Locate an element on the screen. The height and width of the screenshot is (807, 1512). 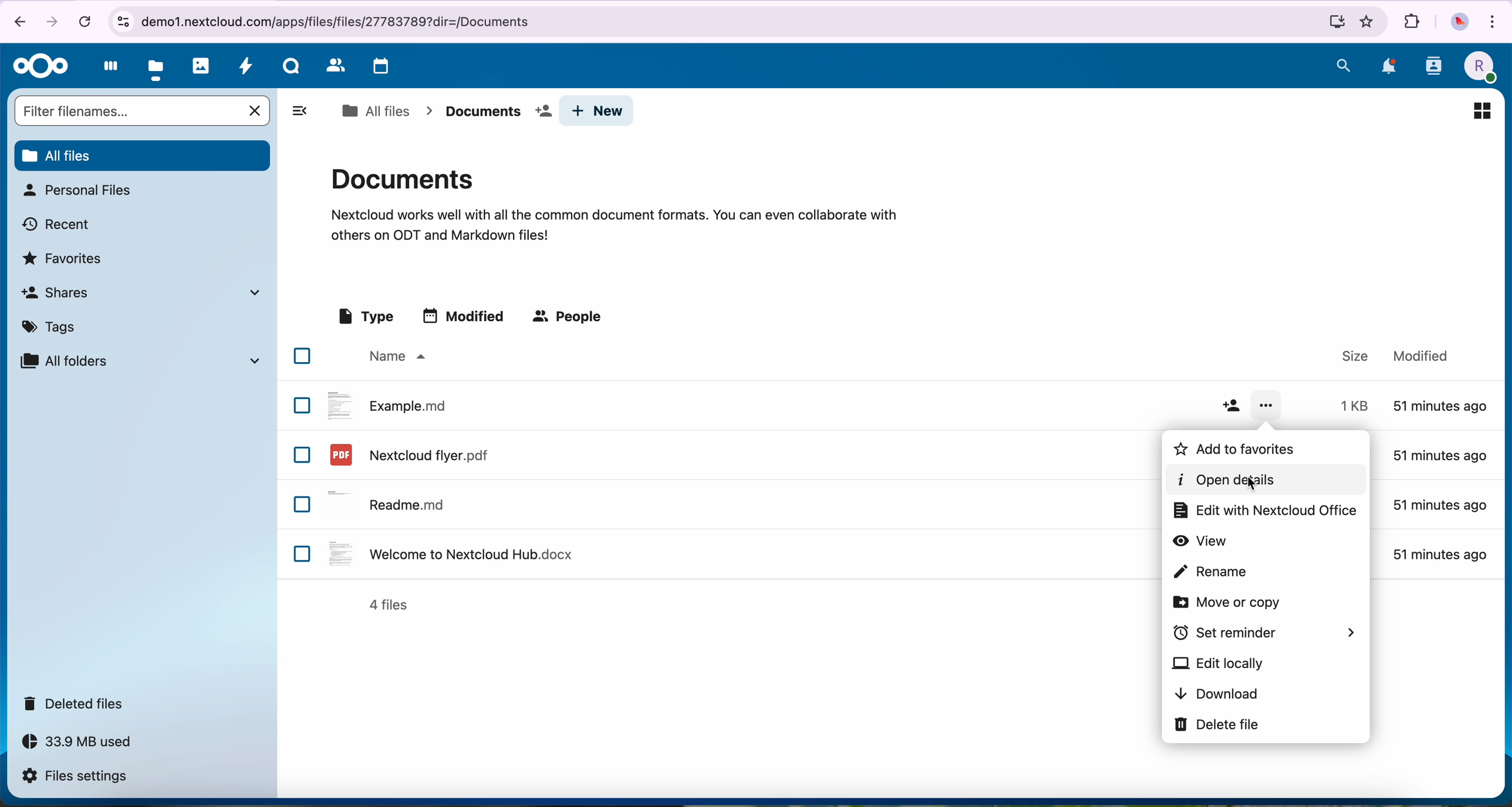
options is located at coordinates (1268, 406).